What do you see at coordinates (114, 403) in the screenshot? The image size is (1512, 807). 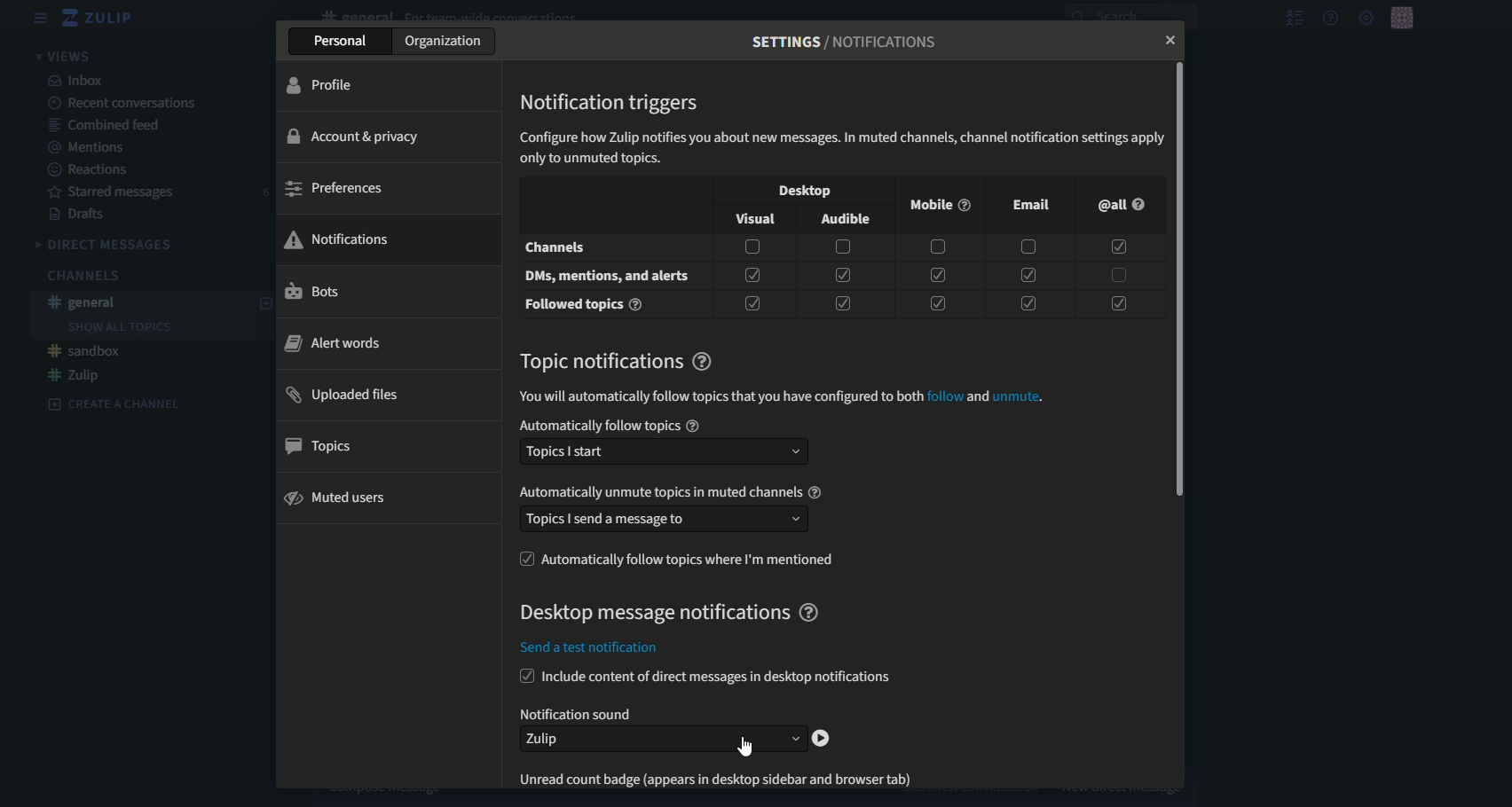 I see `Create a channel` at bounding box center [114, 403].